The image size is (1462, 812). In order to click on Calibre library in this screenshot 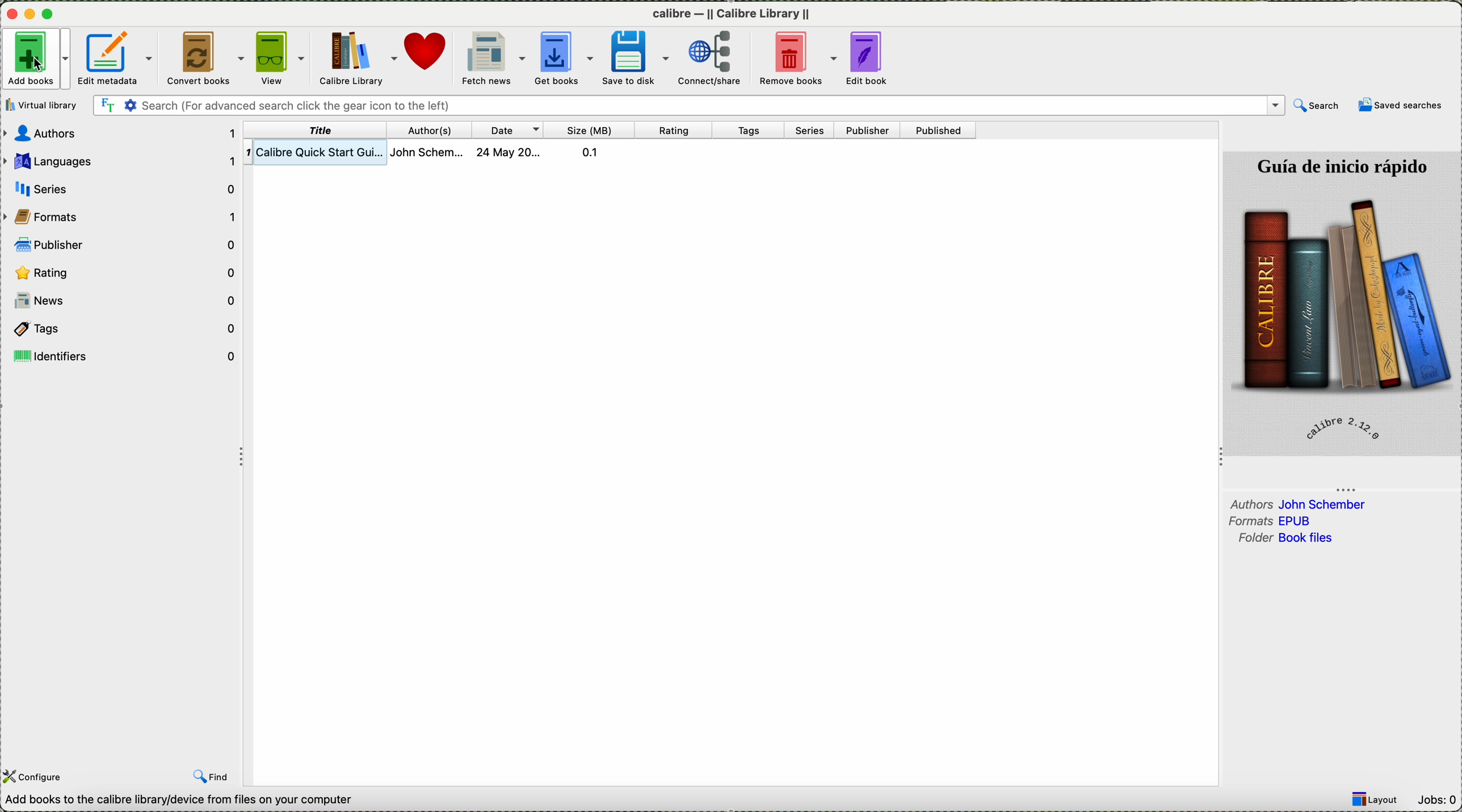, I will do `click(356, 59)`.